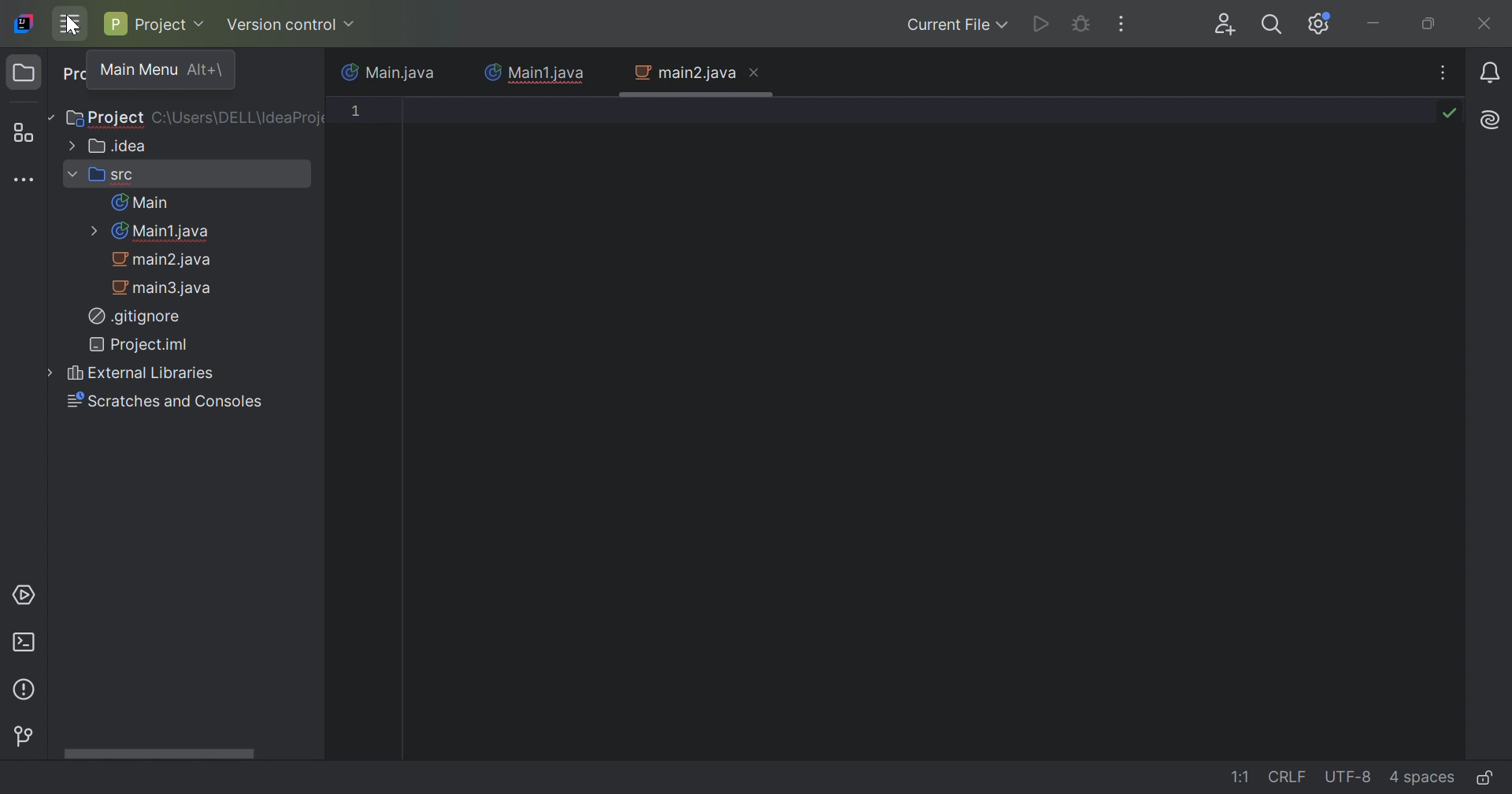 The image size is (1512, 794). Describe the element at coordinates (72, 24) in the screenshot. I see `Main  menu` at that location.